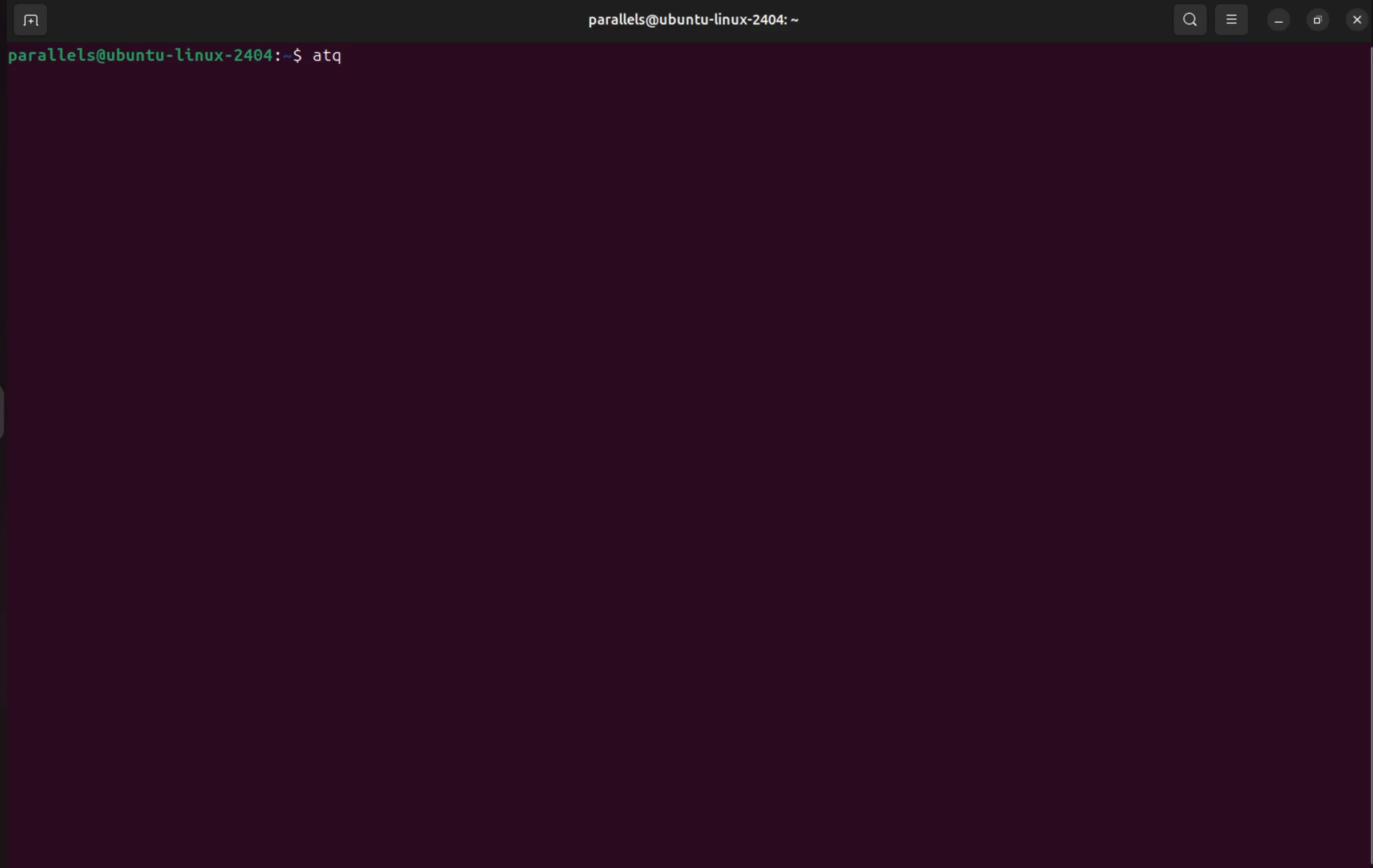 This screenshot has height=868, width=1373. Describe the element at coordinates (153, 56) in the screenshot. I see `bash prompt` at that location.